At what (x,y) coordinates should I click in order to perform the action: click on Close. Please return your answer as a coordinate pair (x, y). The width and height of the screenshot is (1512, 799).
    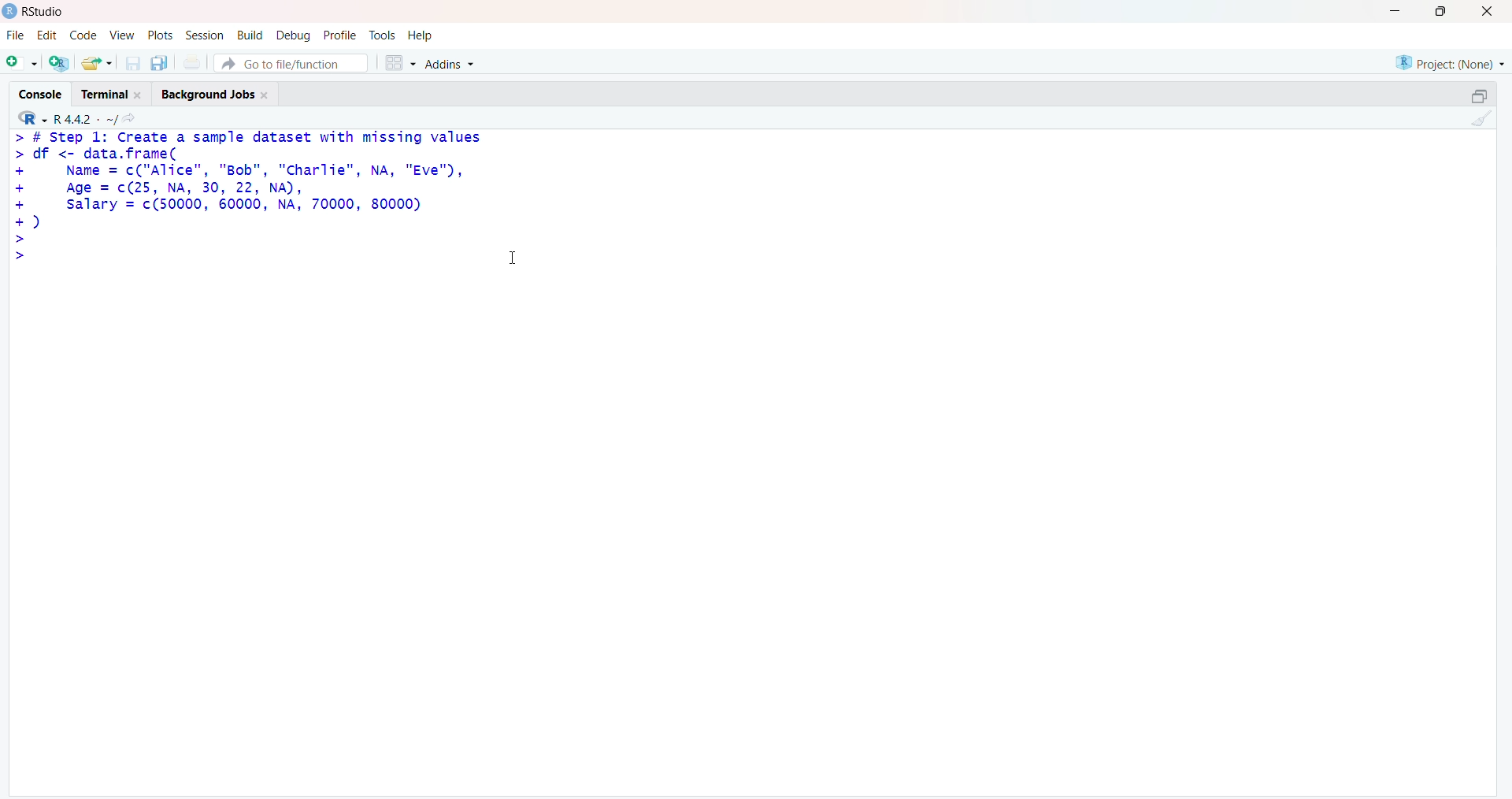
    Looking at the image, I should click on (1492, 13).